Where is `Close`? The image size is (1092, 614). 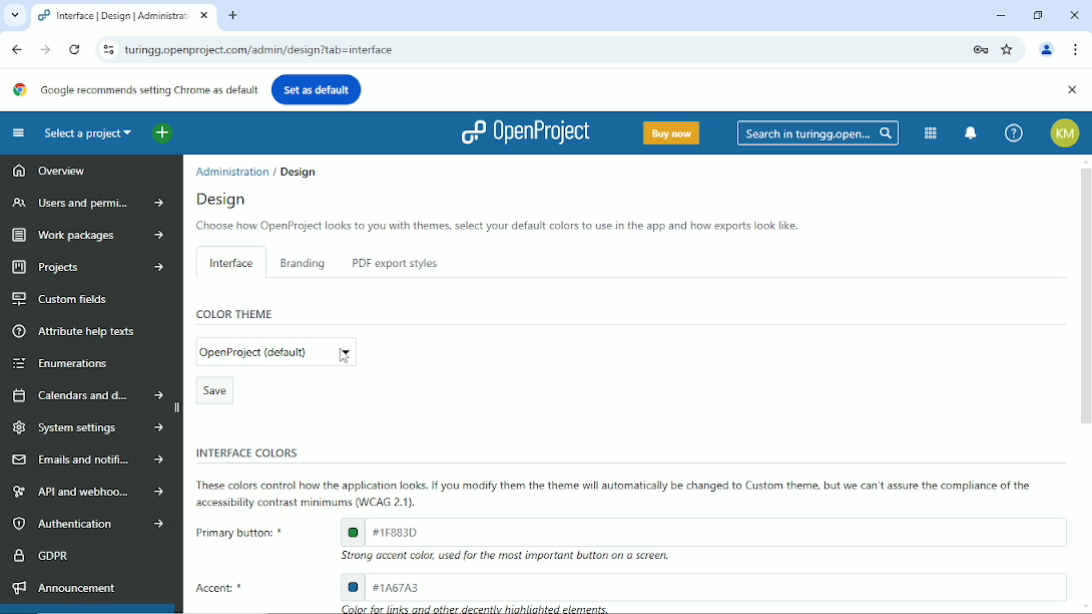
Close is located at coordinates (1071, 90).